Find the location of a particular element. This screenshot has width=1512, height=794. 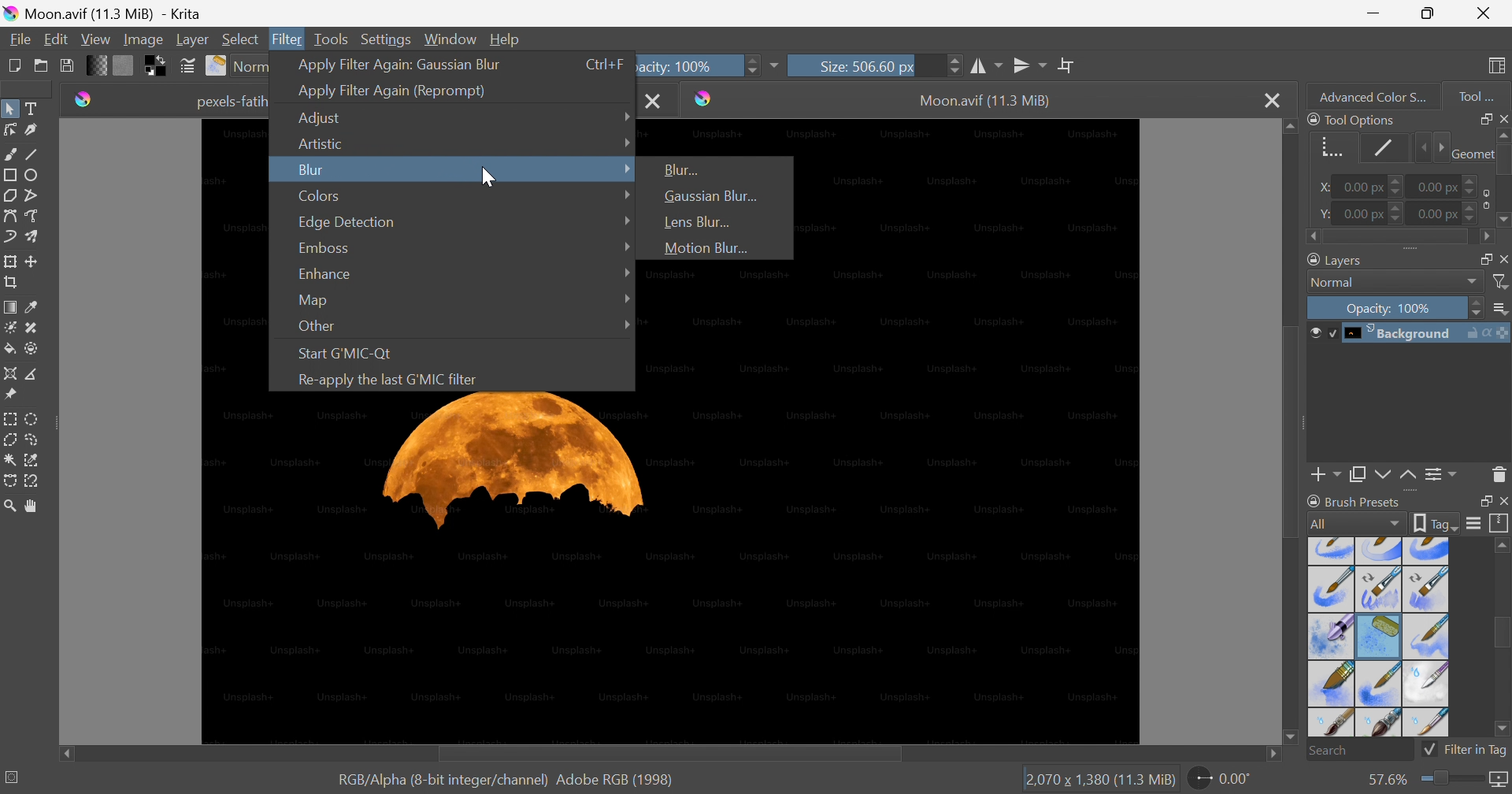

Apply filter again: Gaussian Blur is located at coordinates (398, 65).